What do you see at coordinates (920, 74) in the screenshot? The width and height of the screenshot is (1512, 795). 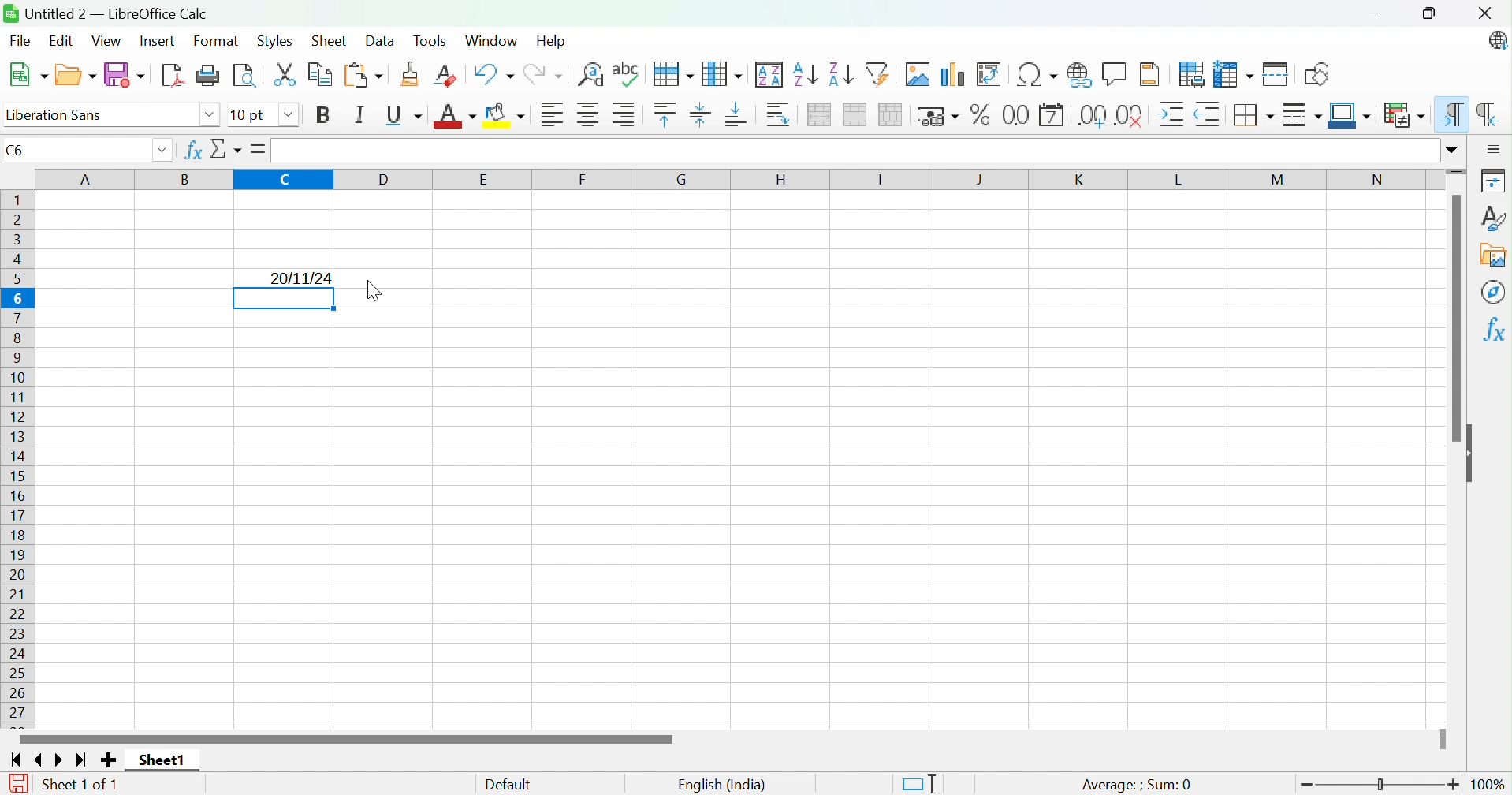 I see `Insert image` at bounding box center [920, 74].